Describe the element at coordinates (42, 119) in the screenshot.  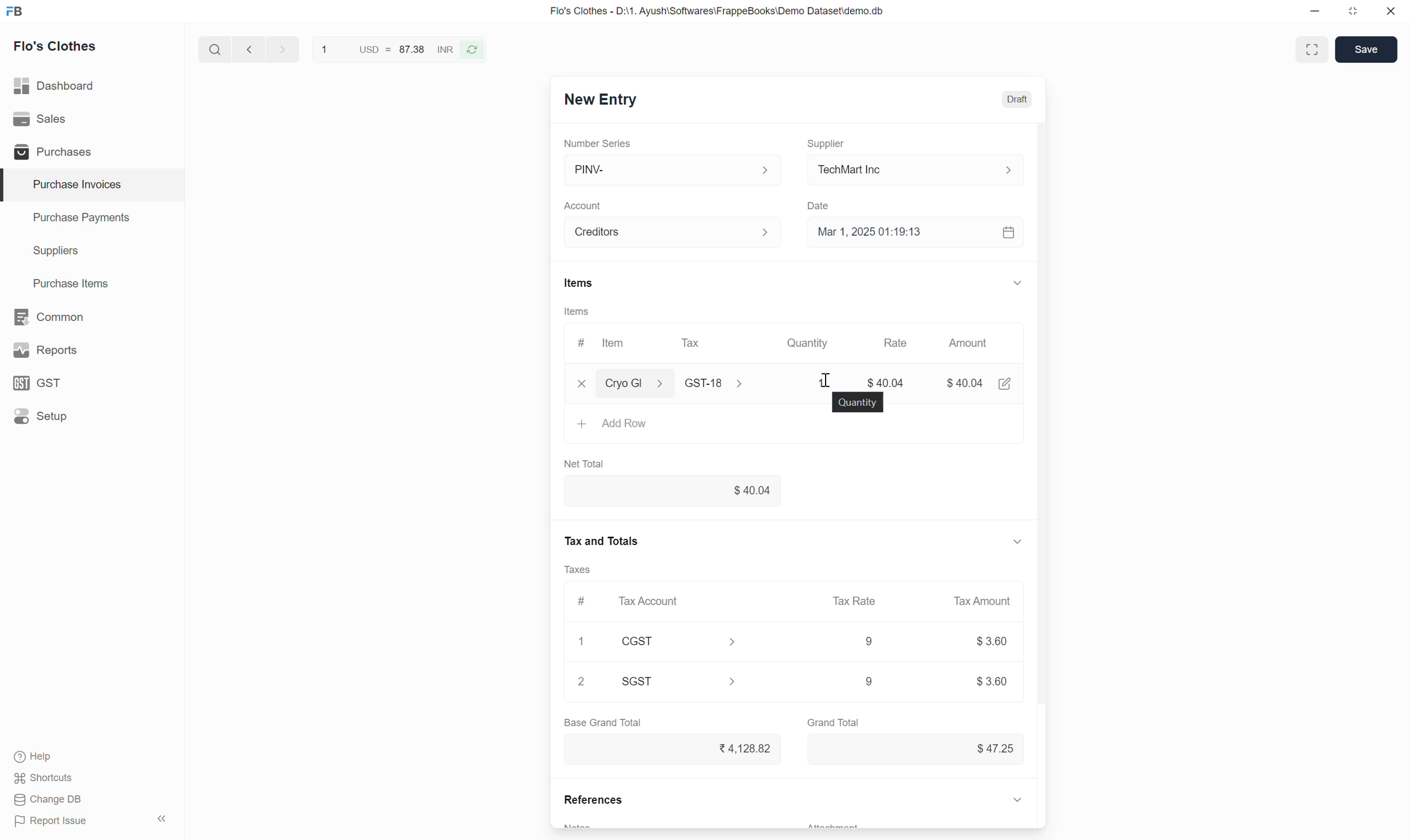
I see `Sales` at that location.